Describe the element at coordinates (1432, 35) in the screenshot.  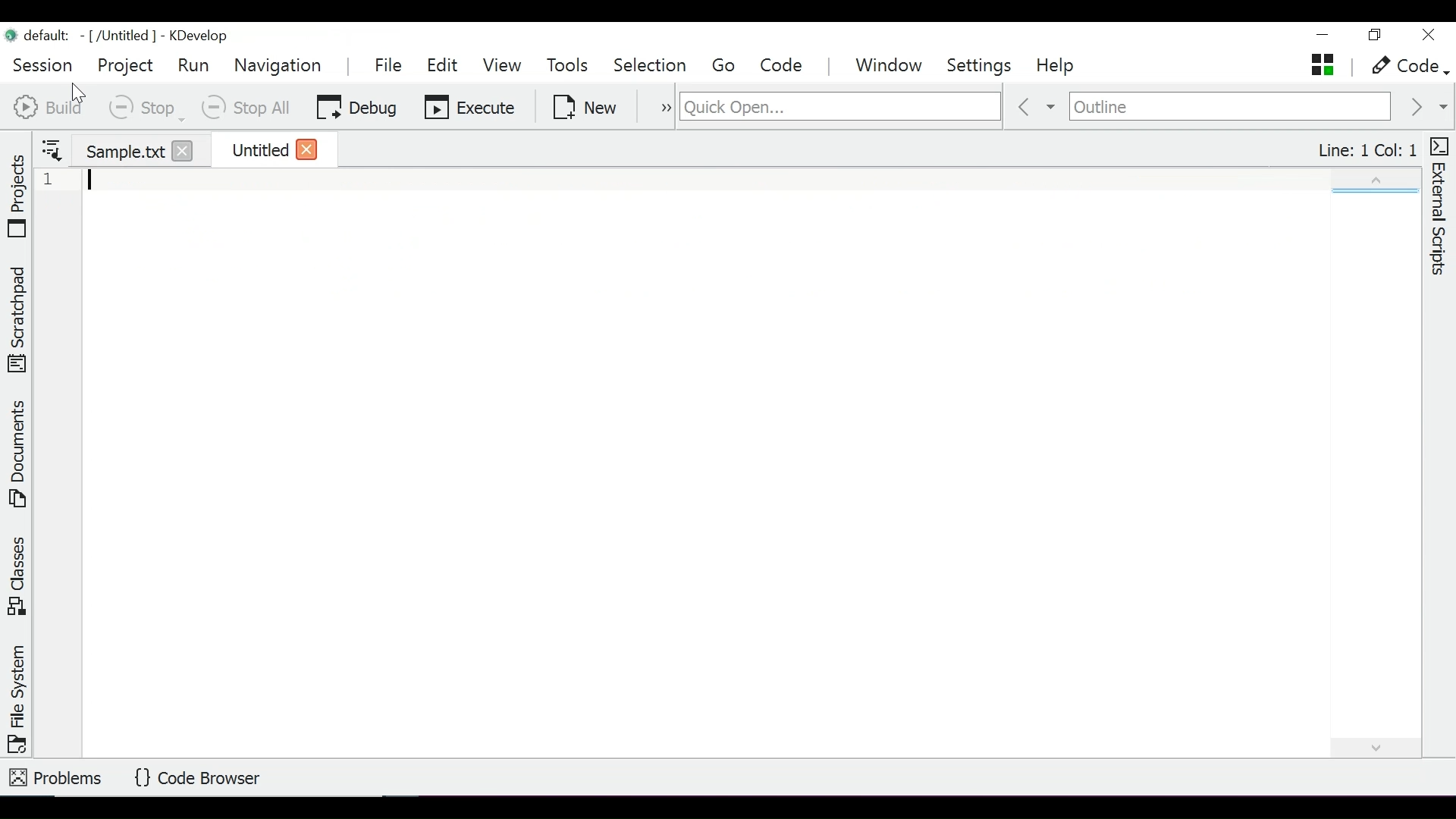
I see `Close` at that location.